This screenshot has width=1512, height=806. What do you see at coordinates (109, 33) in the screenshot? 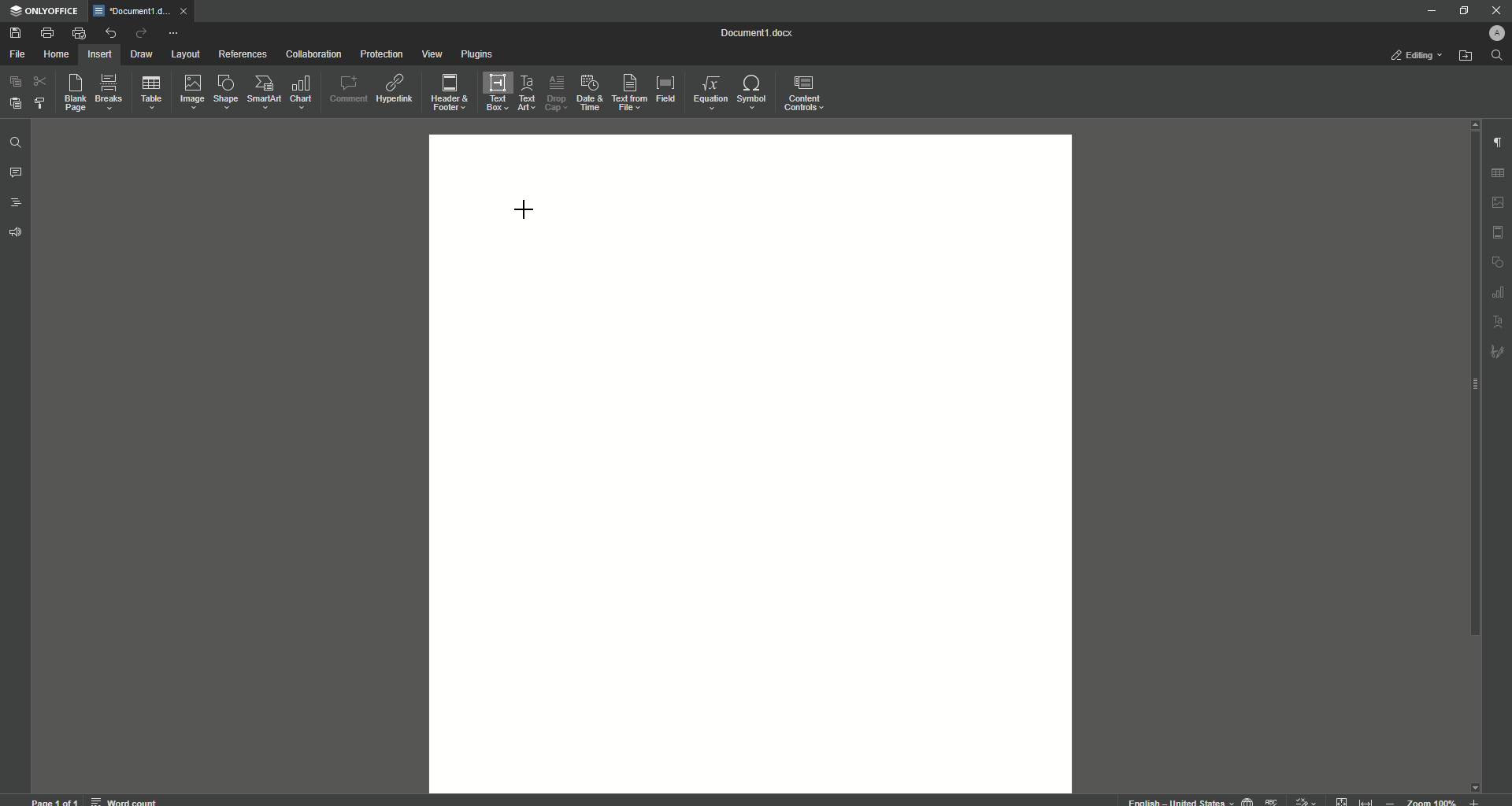
I see `Undo` at bounding box center [109, 33].